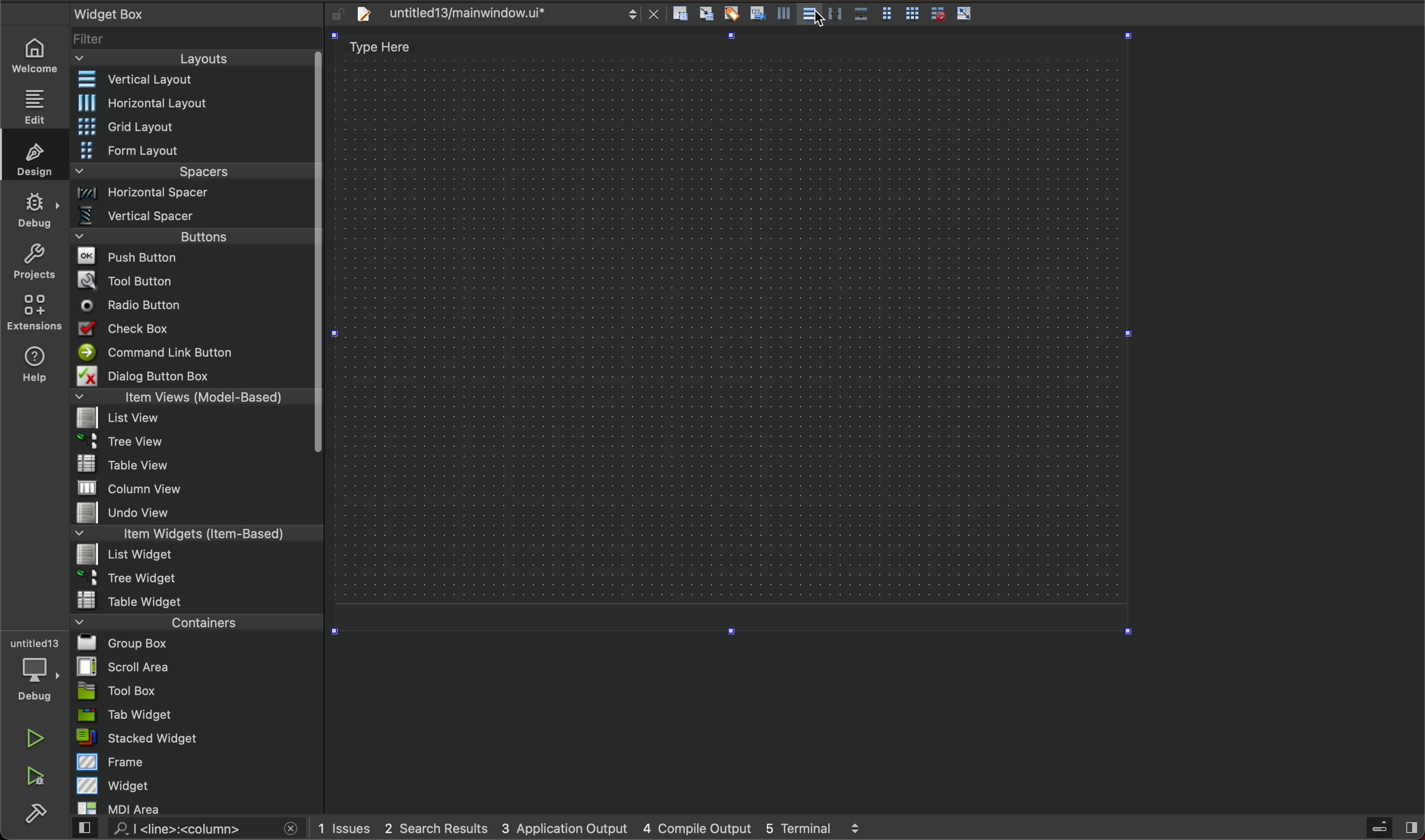 Image resolution: width=1425 pixels, height=840 pixels. I want to click on vertical layout, so click(192, 79).